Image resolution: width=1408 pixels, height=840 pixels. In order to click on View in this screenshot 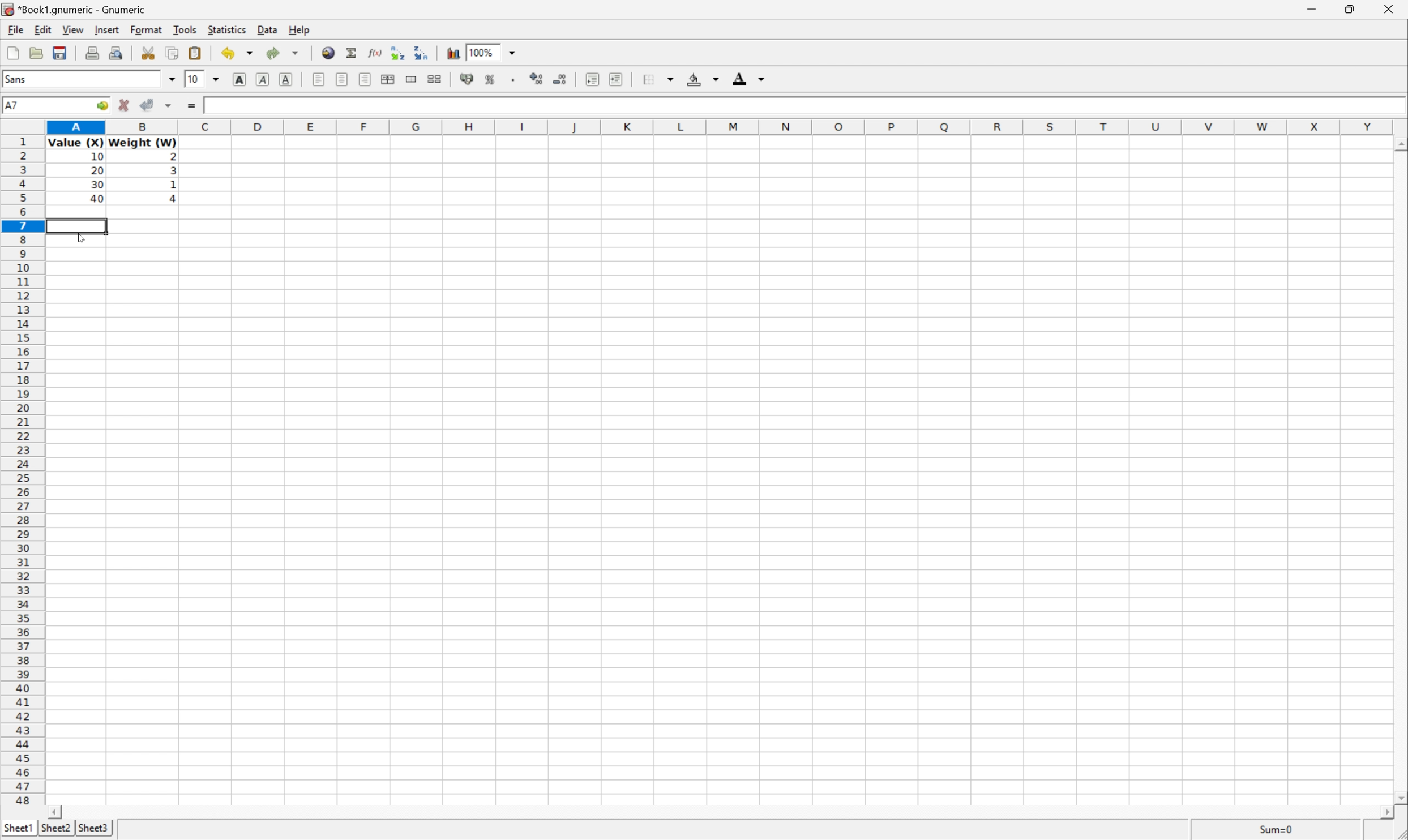, I will do `click(75, 30)`.